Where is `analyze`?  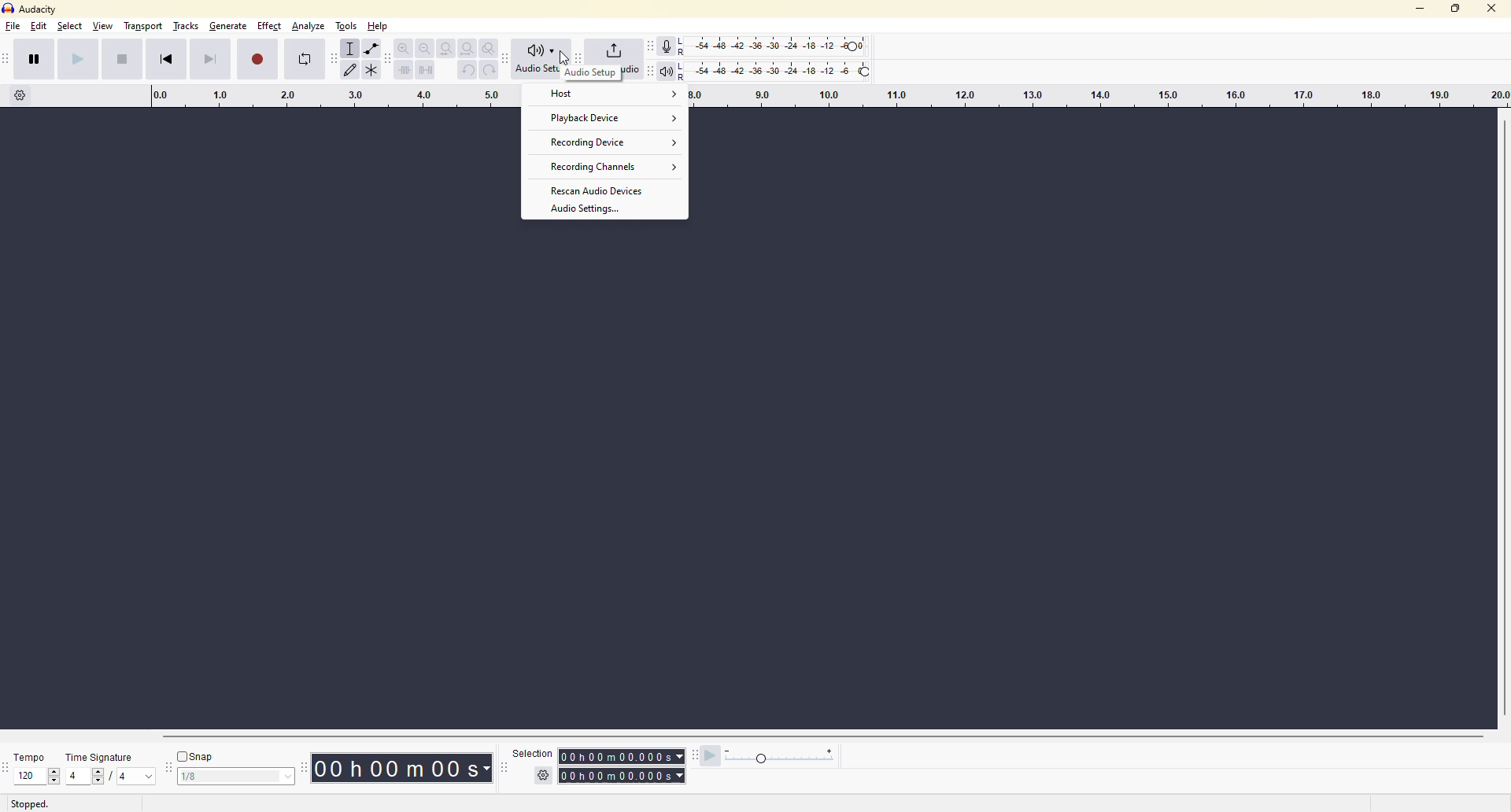 analyze is located at coordinates (305, 28).